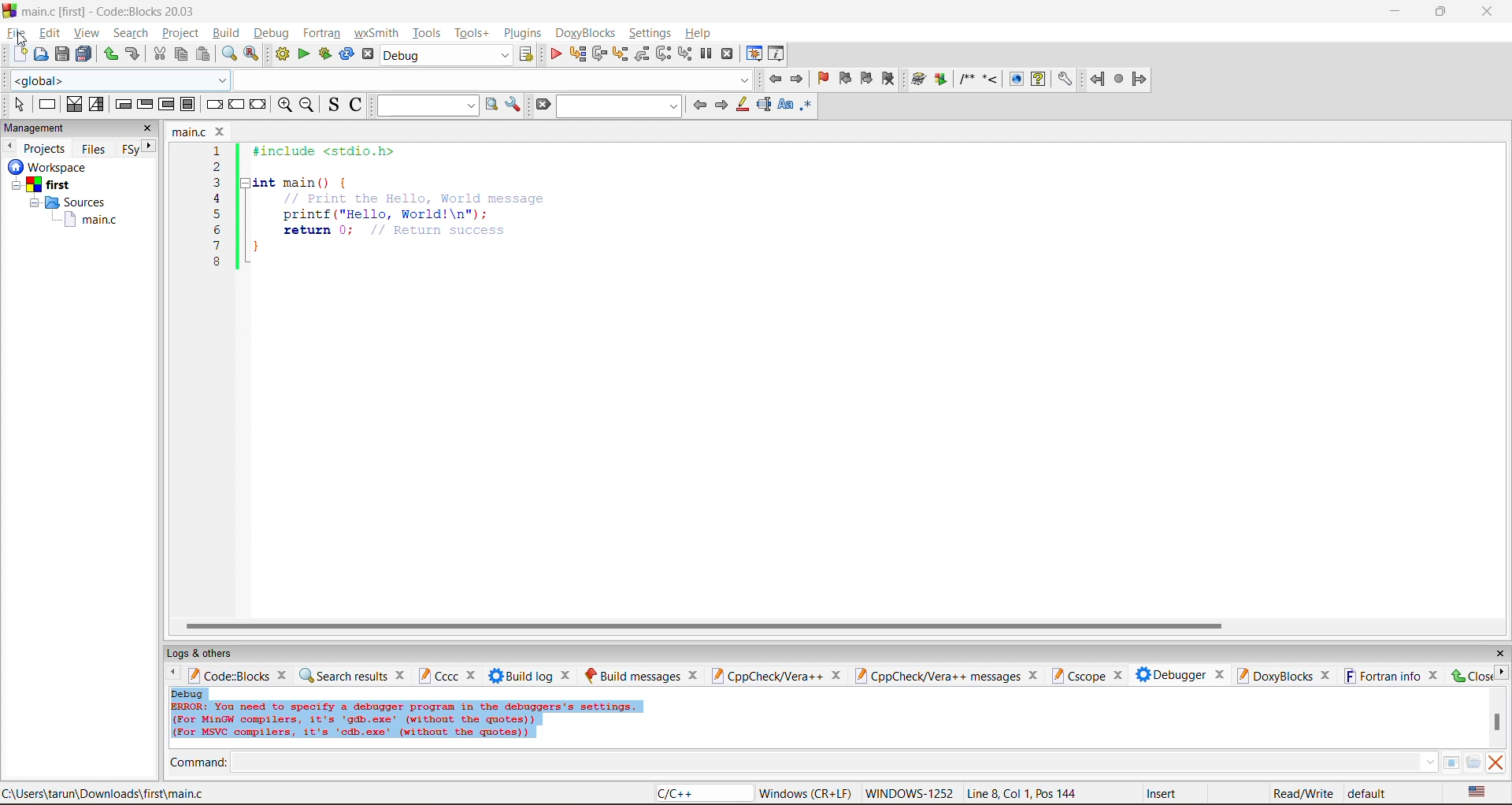  Describe the element at coordinates (217, 213) in the screenshot. I see `5` at that location.